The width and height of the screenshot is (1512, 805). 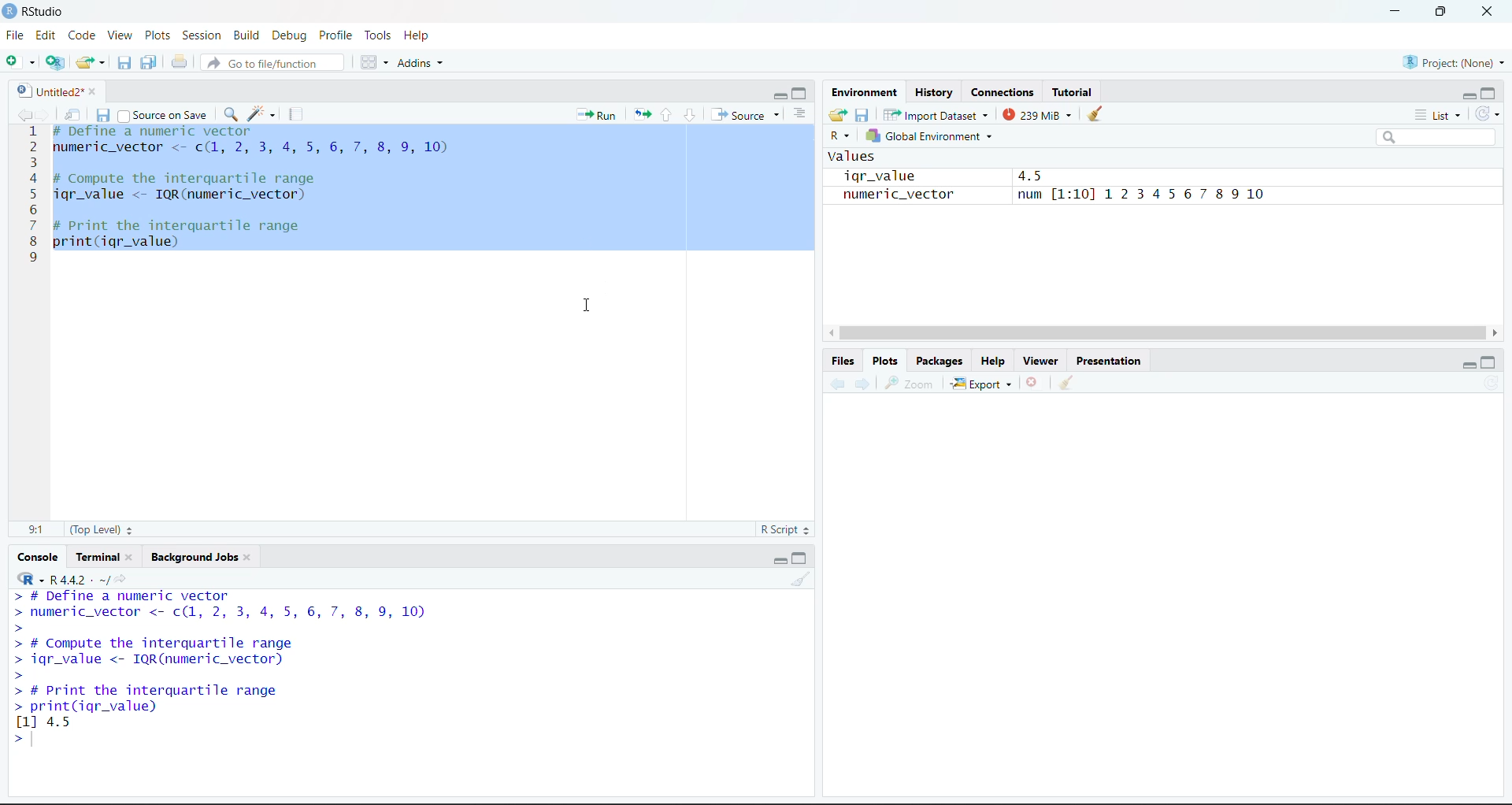 What do you see at coordinates (424, 36) in the screenshot?
I see `Help` at bounding box center [424, 36].